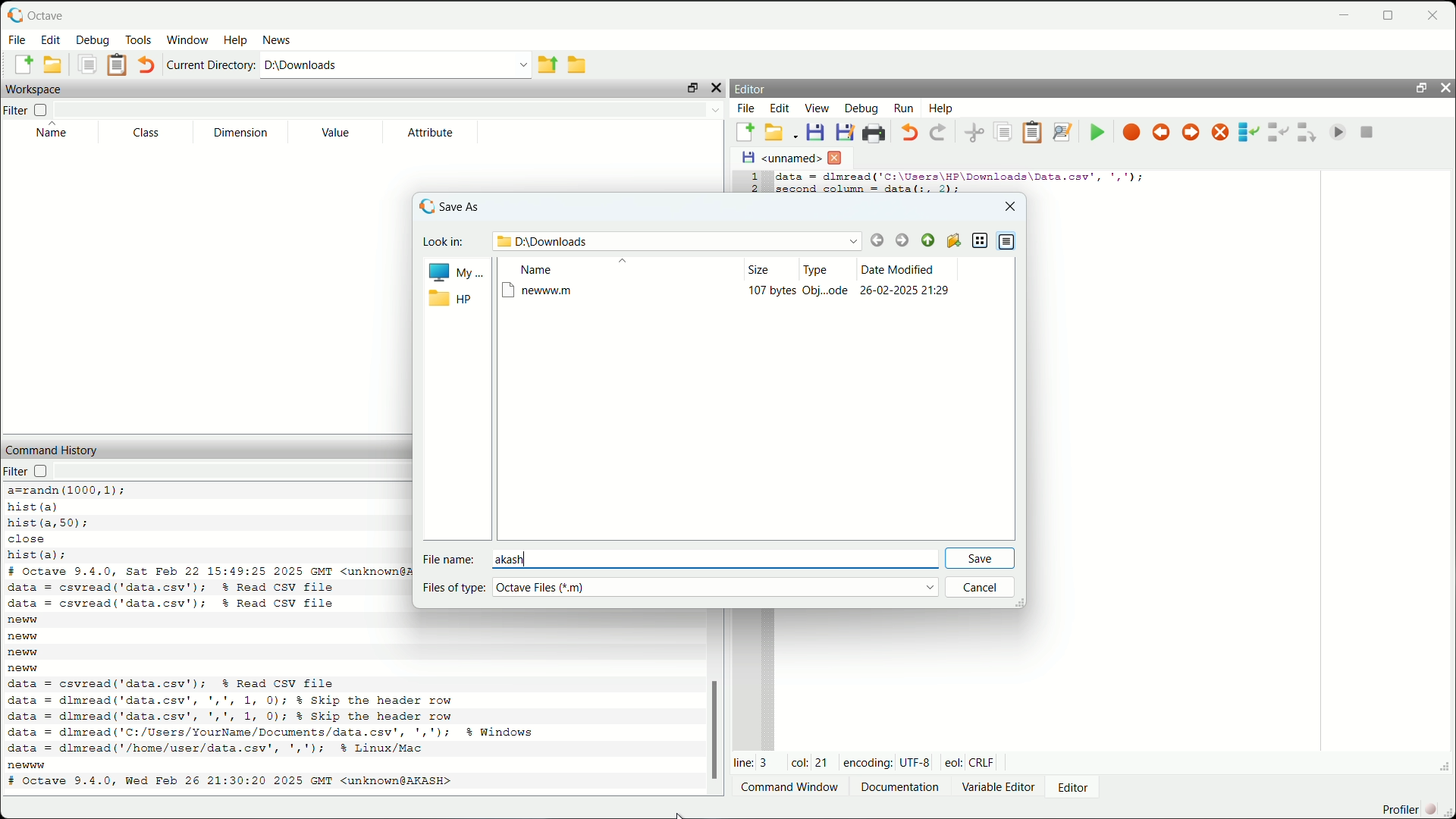  Describe the element at coordinates (780, 159) in the screenshot. I see `unnamed` at that location.